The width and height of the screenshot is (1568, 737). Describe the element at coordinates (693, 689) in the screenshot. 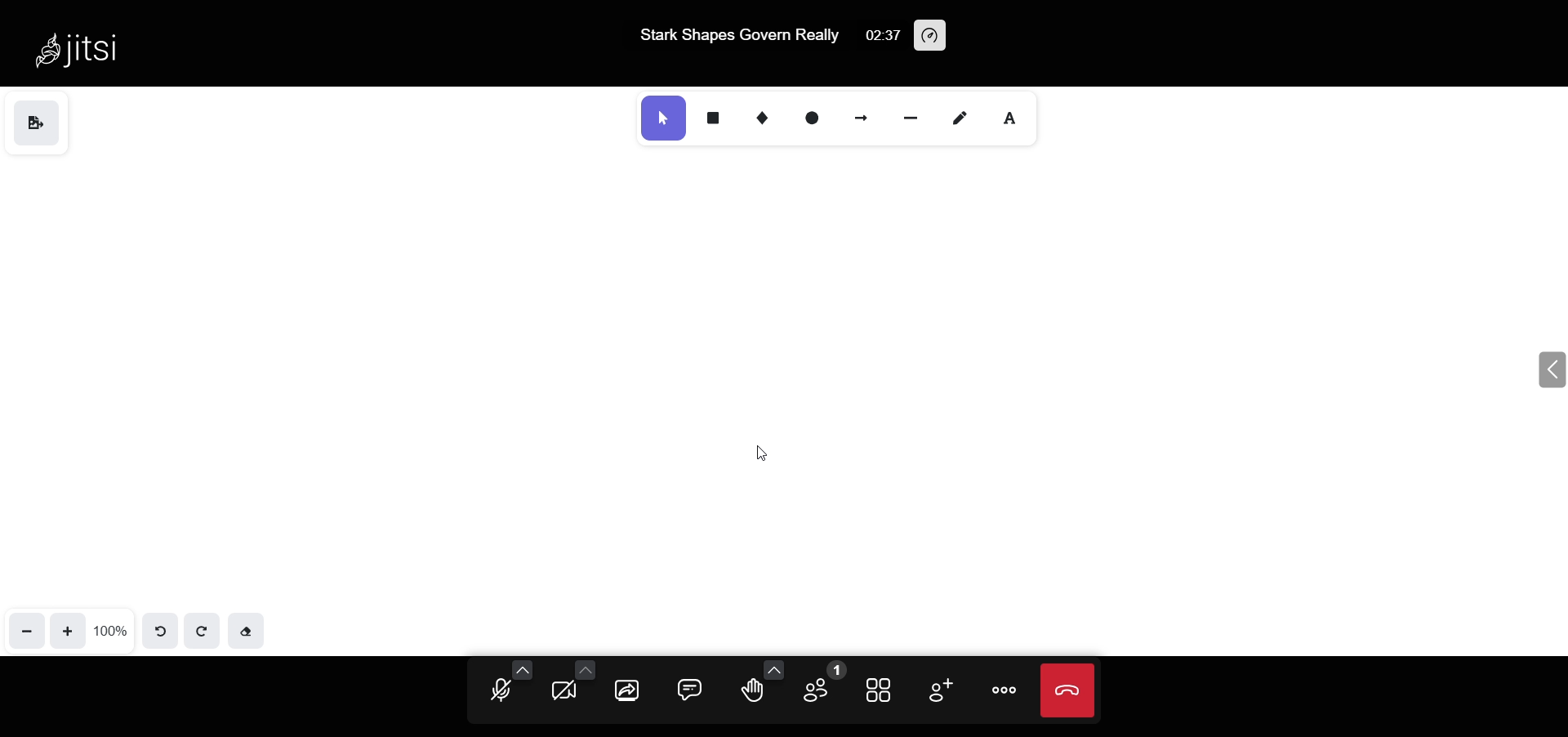

I see `chat` at that location.